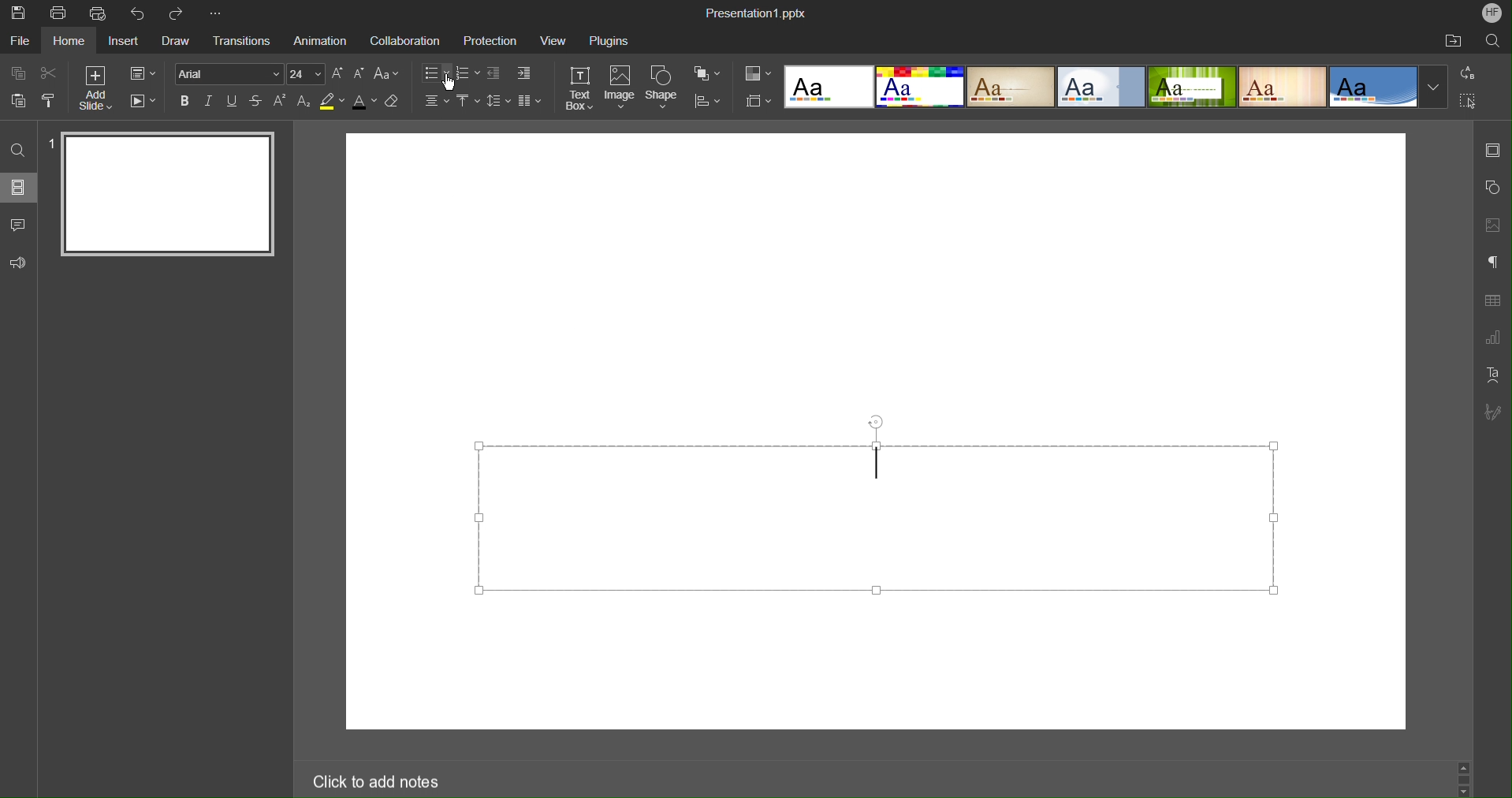 Image resolution: width=1512 pixels, height=798 pixels. What do you see at coordinates (1492, 263) in the screenshot?
I see `Paragraph Settings` at bounding box center [1492, 263].